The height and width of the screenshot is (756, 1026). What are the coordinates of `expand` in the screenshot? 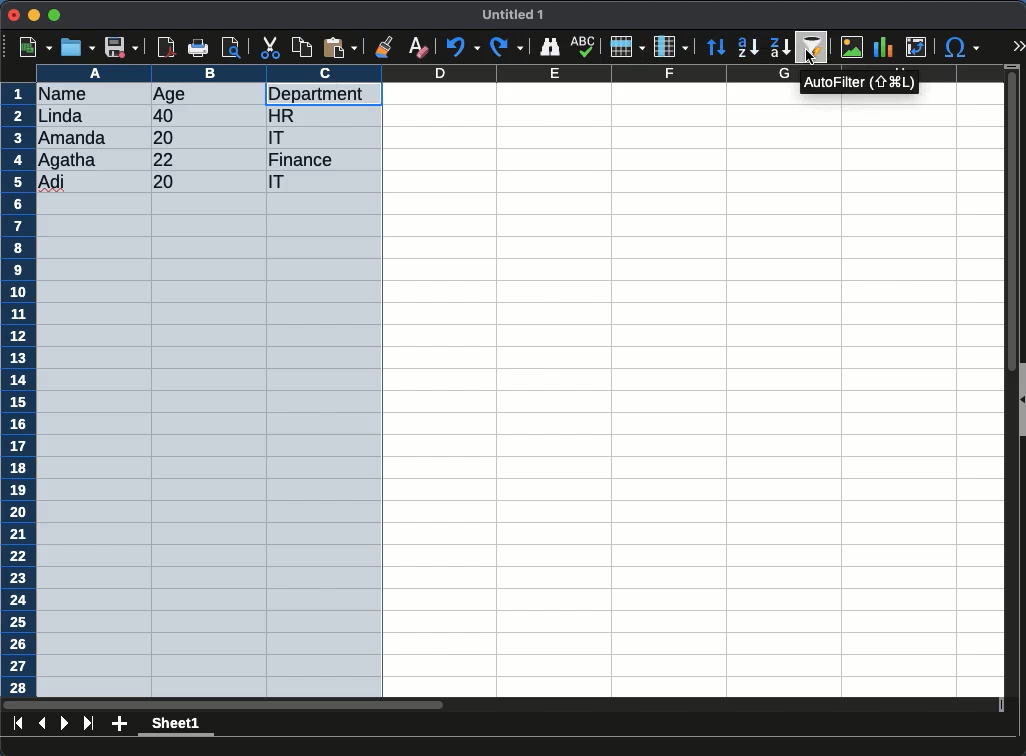 It's located at (1018, 48).